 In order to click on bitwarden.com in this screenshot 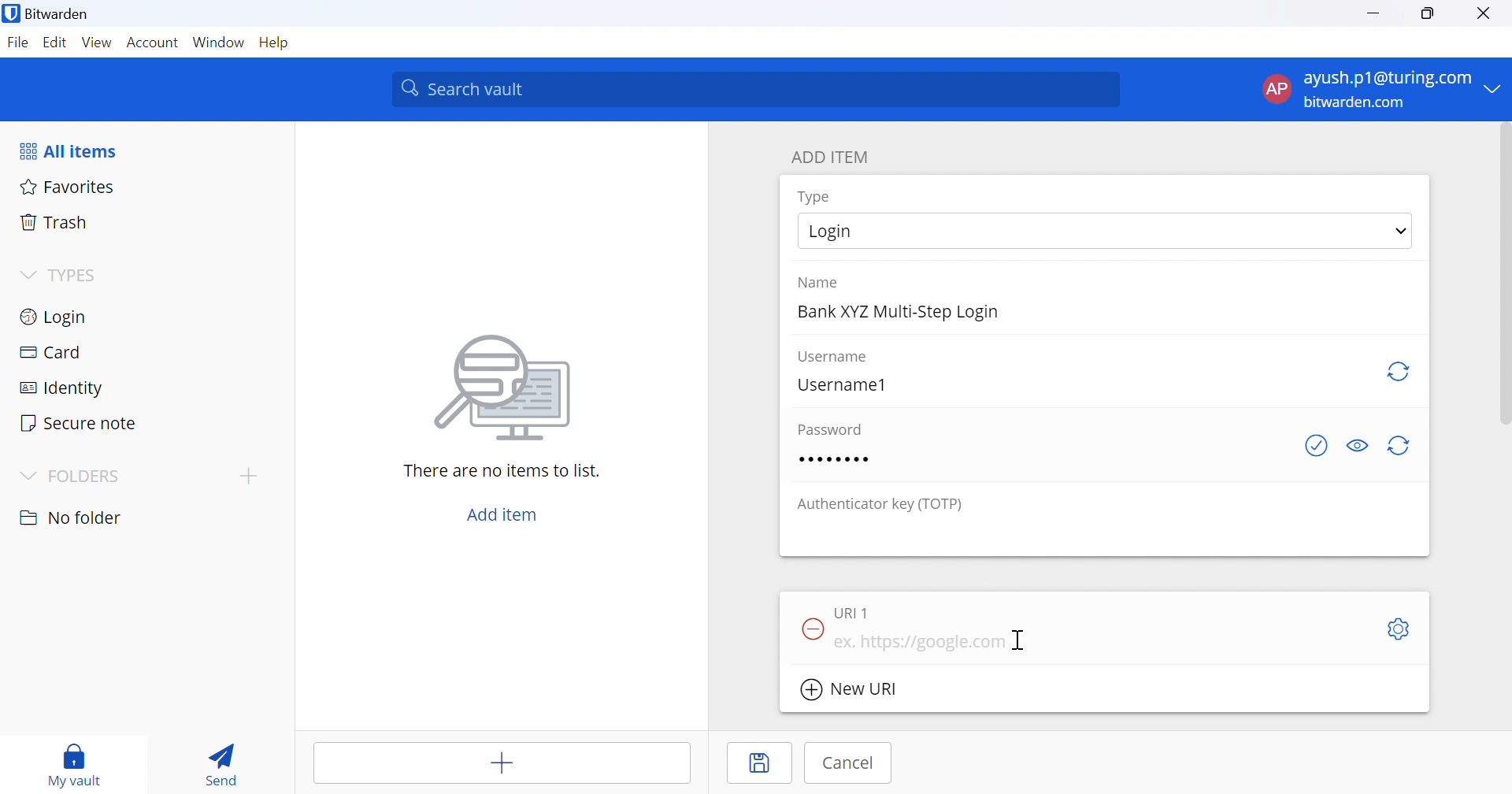, I will do `click(1354, 102)`.